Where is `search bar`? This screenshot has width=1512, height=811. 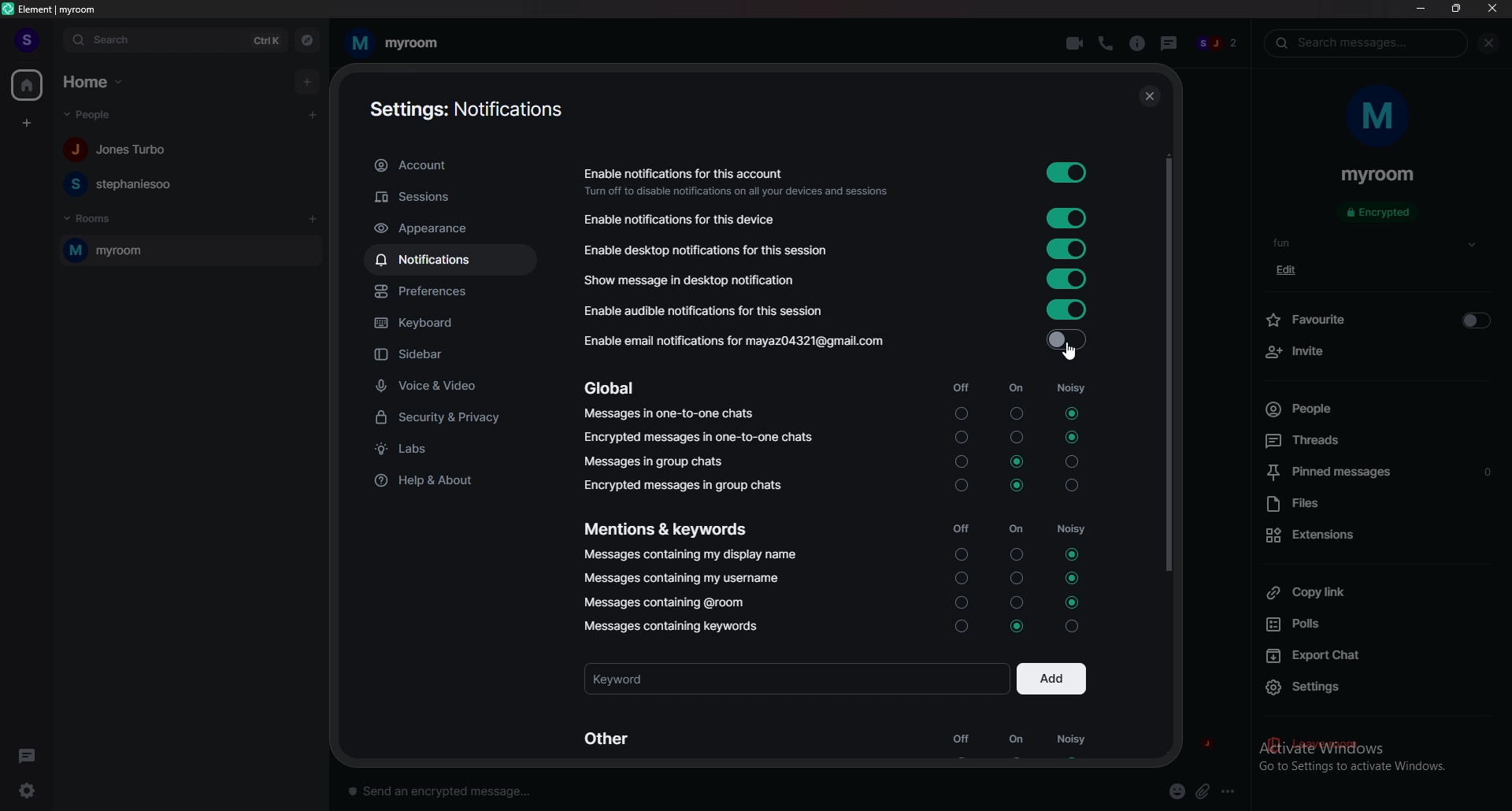 search bar is located at coordinates (176, 39).